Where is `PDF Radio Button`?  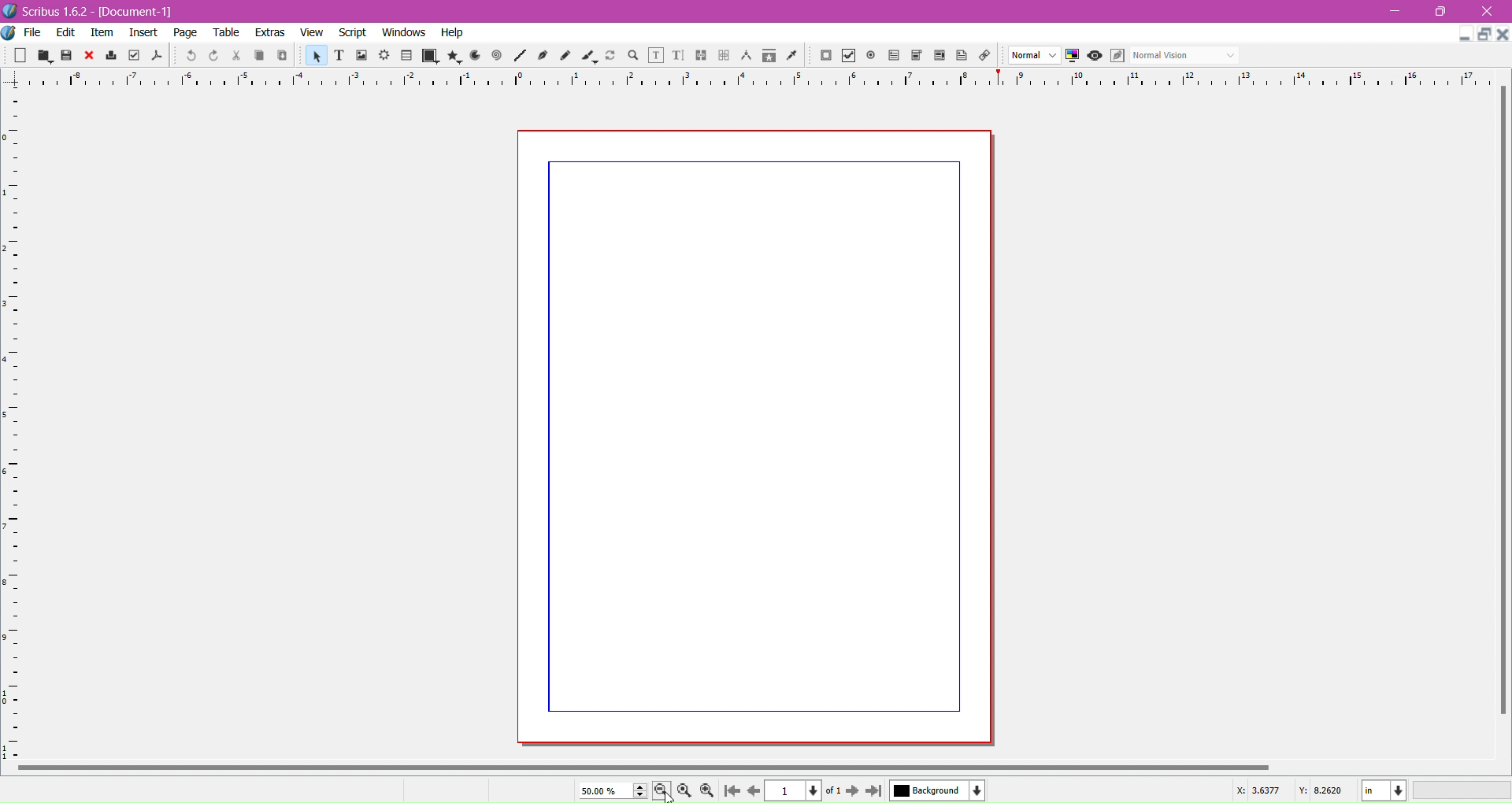 PDF Radio Button is located at coordinates (871, 54).